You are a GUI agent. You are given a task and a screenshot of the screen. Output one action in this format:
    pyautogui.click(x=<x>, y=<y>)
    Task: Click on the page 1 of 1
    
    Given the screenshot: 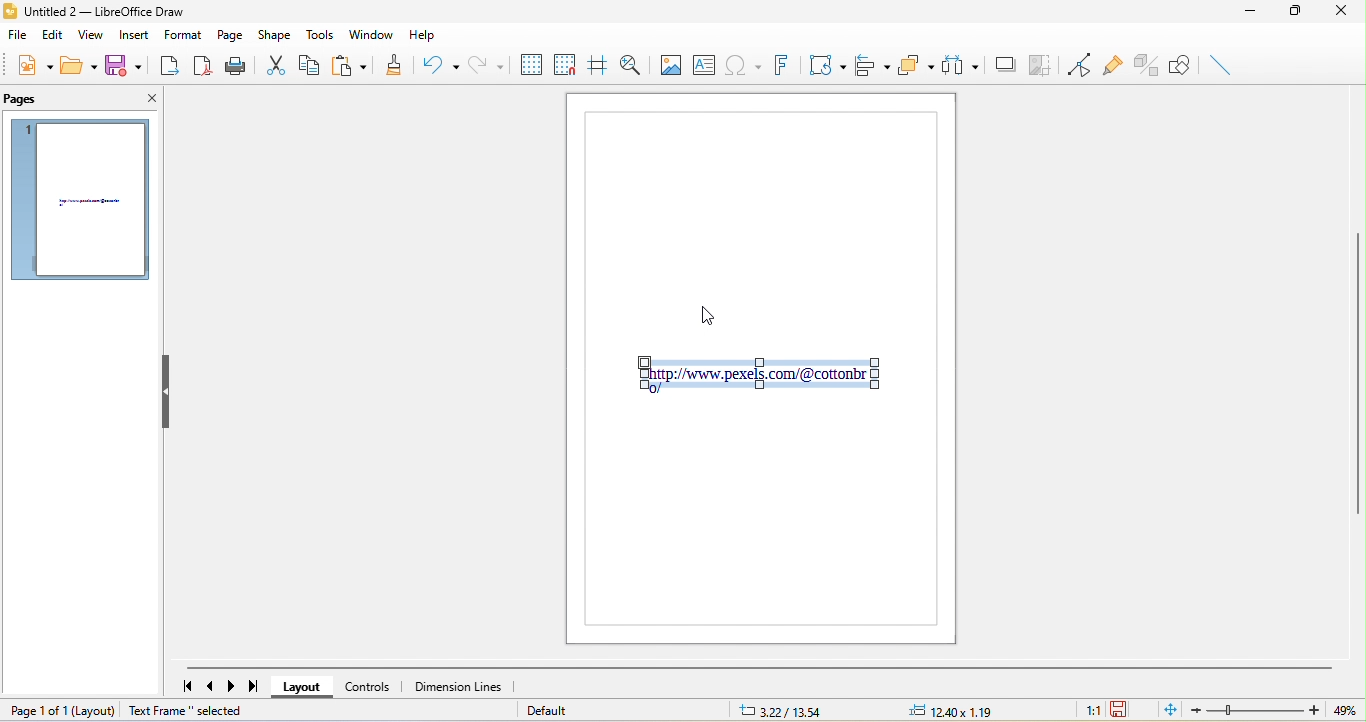 What is the action you would take?
    pyautogui.click(x=36, y=710)
    